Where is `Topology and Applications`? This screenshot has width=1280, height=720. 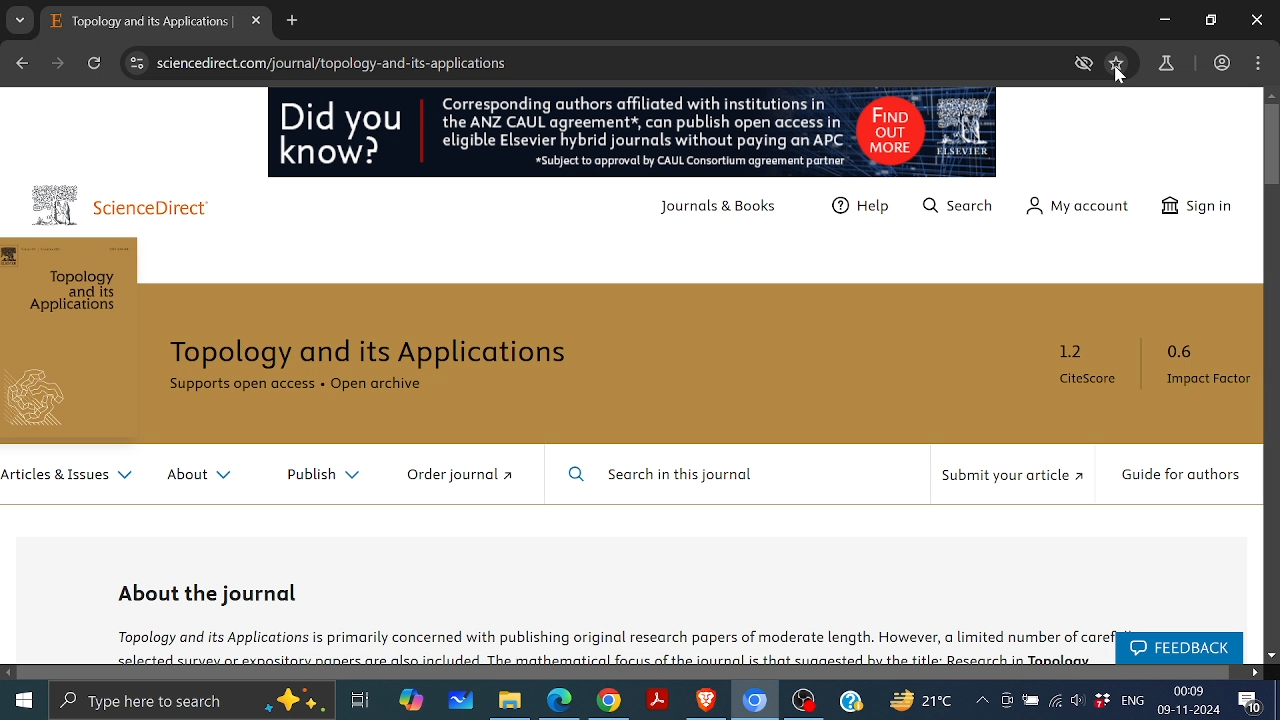 Topology and Applications is located at coordinates (76, 294).